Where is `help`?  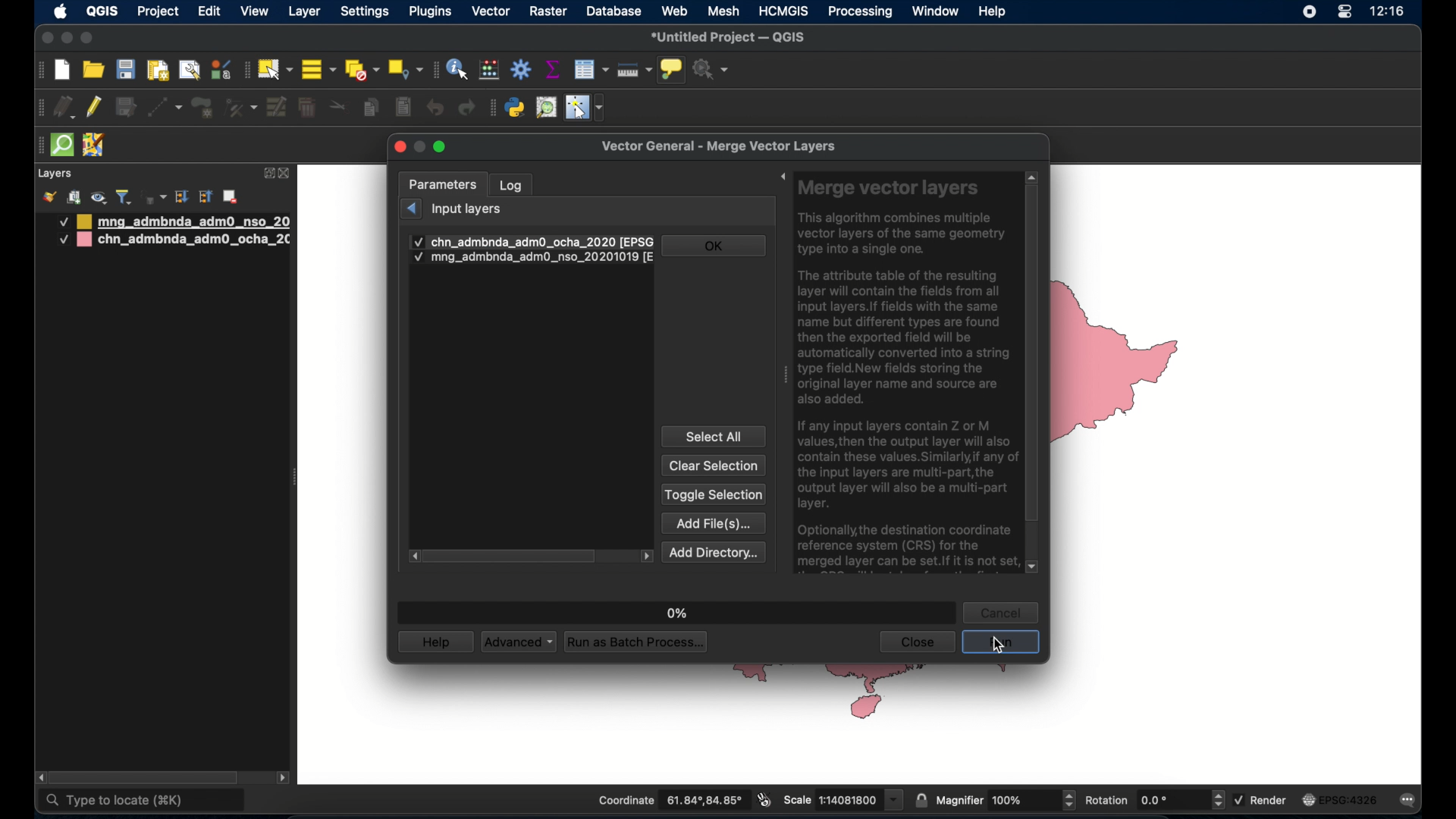
help is located at coordinates (436, 642).